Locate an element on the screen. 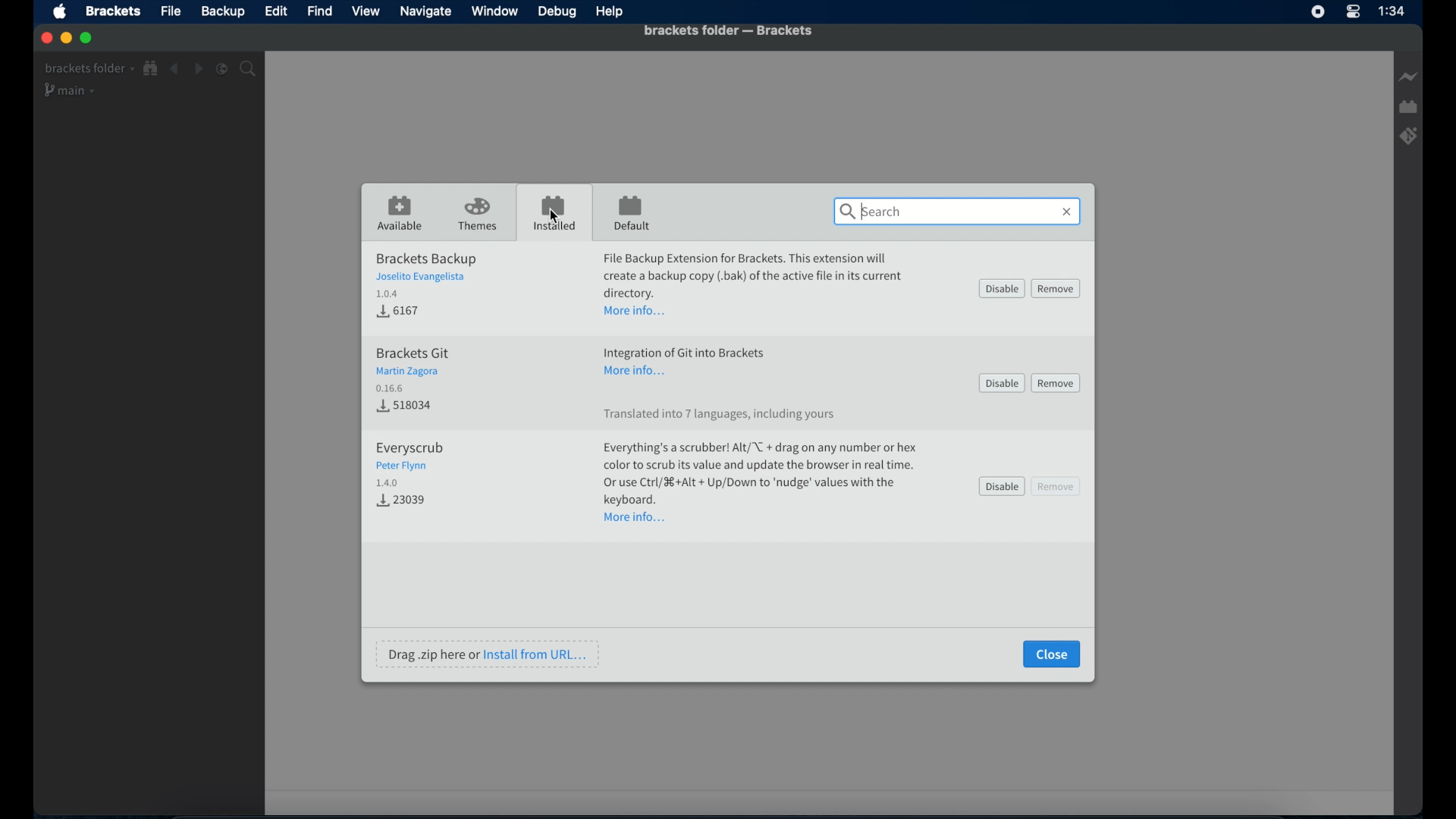 This screenshot has width=1456, height=819. Navigate is located at coordinates (425, 12).